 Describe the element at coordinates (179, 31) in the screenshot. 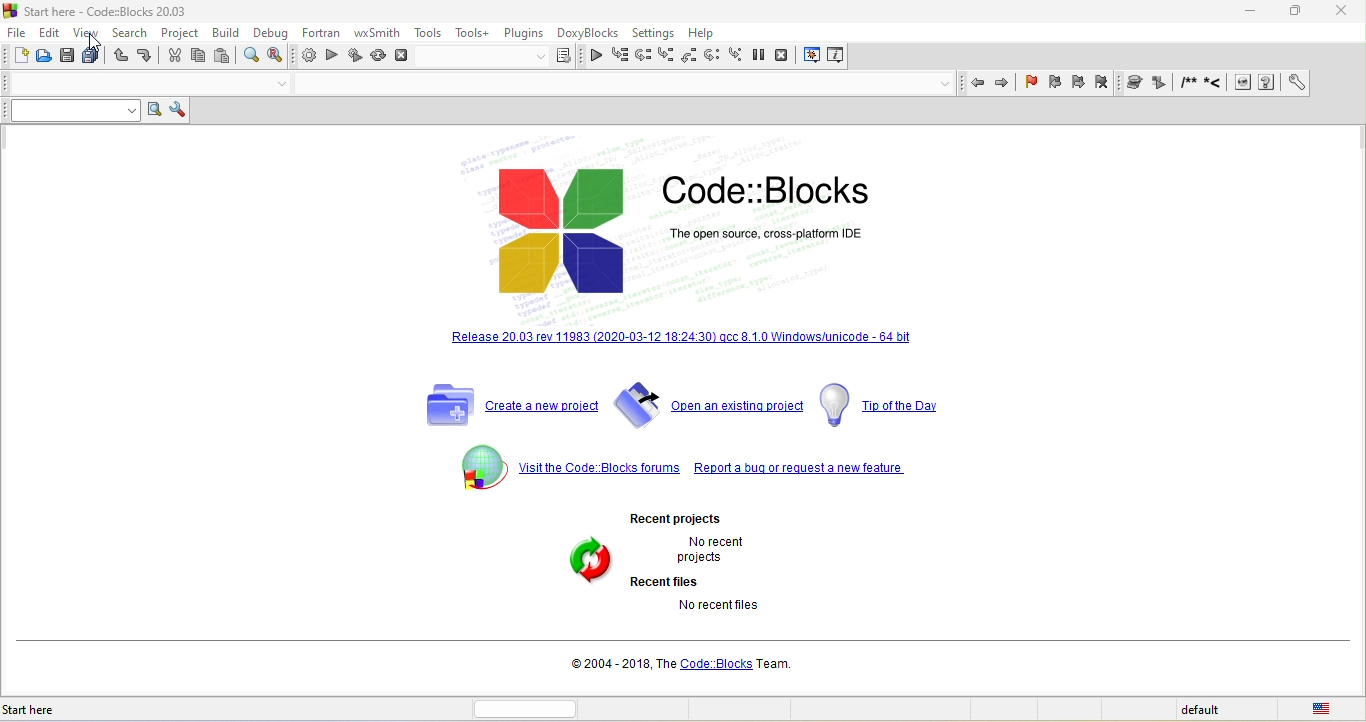

I see `project` at that location.